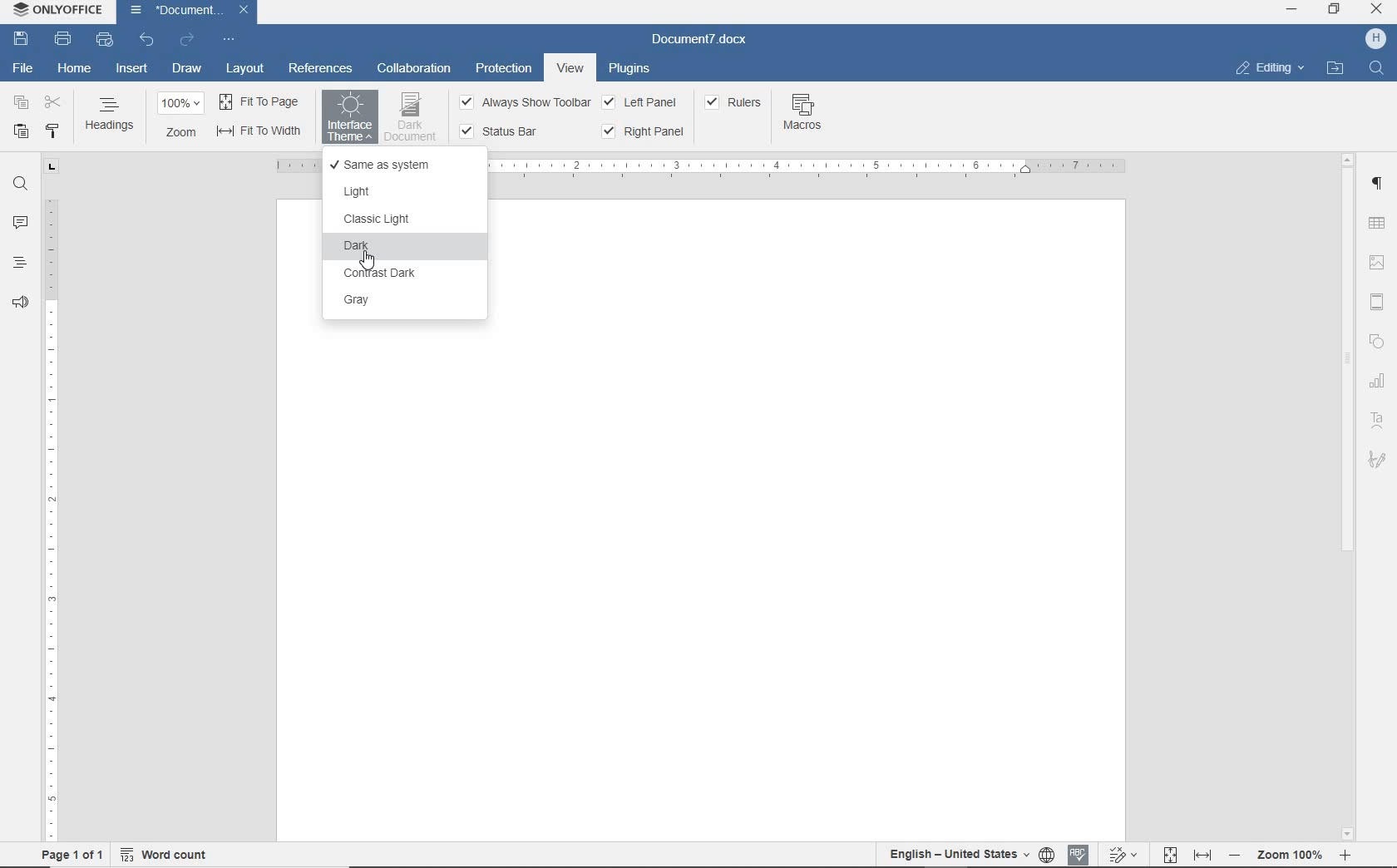 Image resolution: width=1397 pixels, height=868 pixels. What do you see at coordinates (1047, 855) in the screenshot?
I see `SET DOCUMENT LANGUAGE` at bounding box center [1047, 855].